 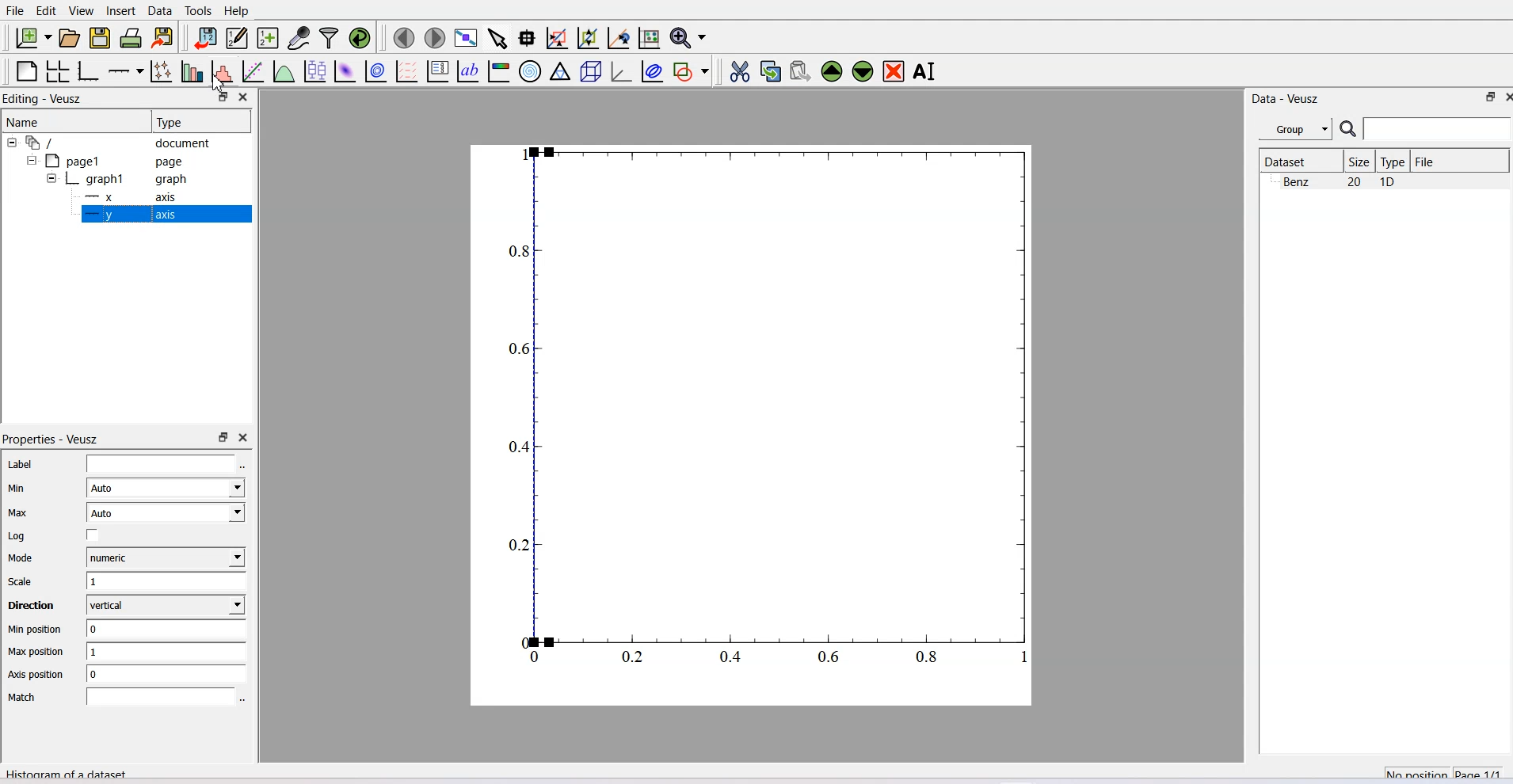 I want to click on Dataset, so click(x=1299, y=161).